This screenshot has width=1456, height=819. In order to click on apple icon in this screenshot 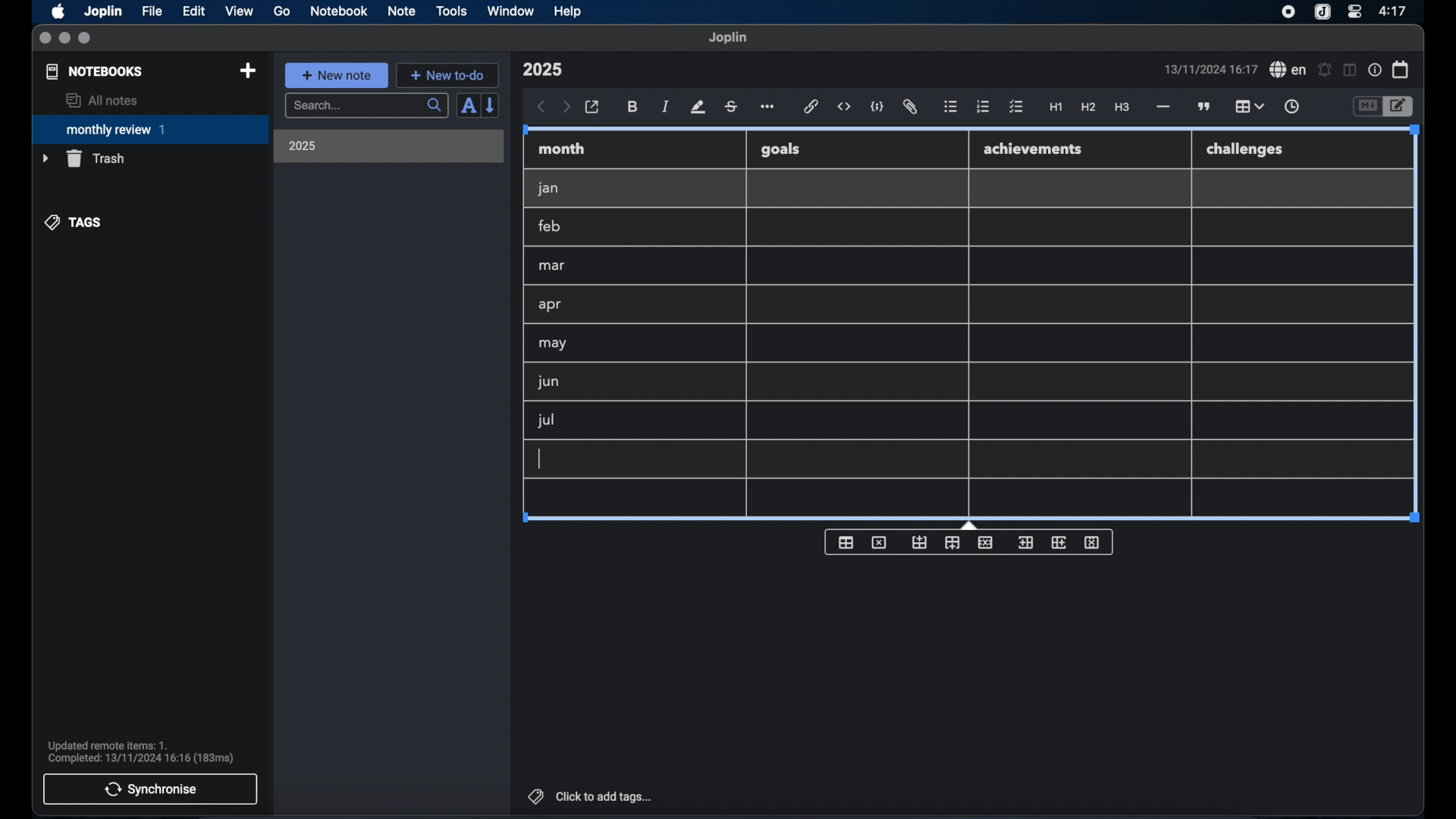, I will do `click(57, 11)`.